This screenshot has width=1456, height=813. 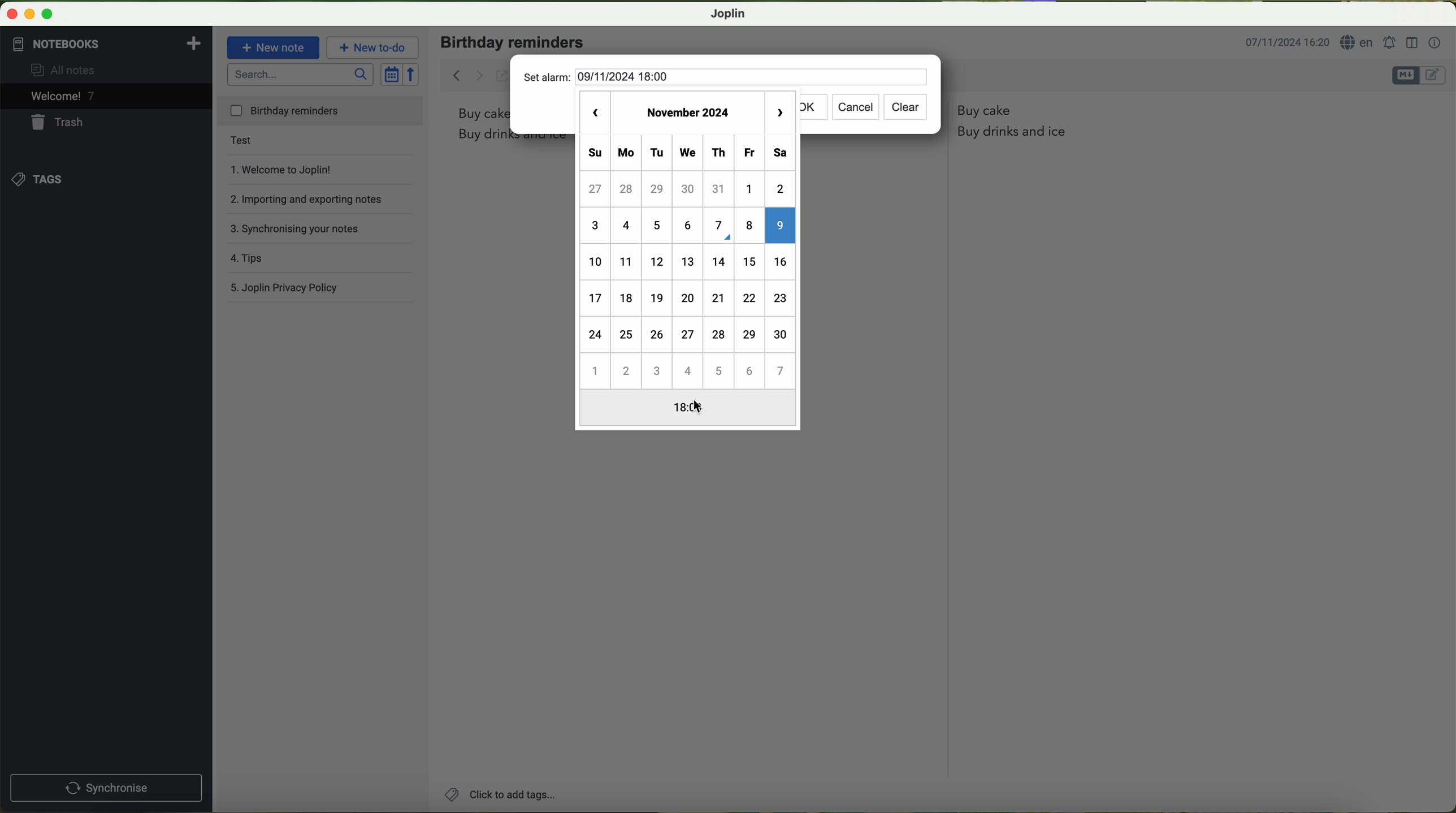 What do you see at coordinates (33, 13) in the screenshot?
I see `screen buttons` at bounding box center [33, 13].